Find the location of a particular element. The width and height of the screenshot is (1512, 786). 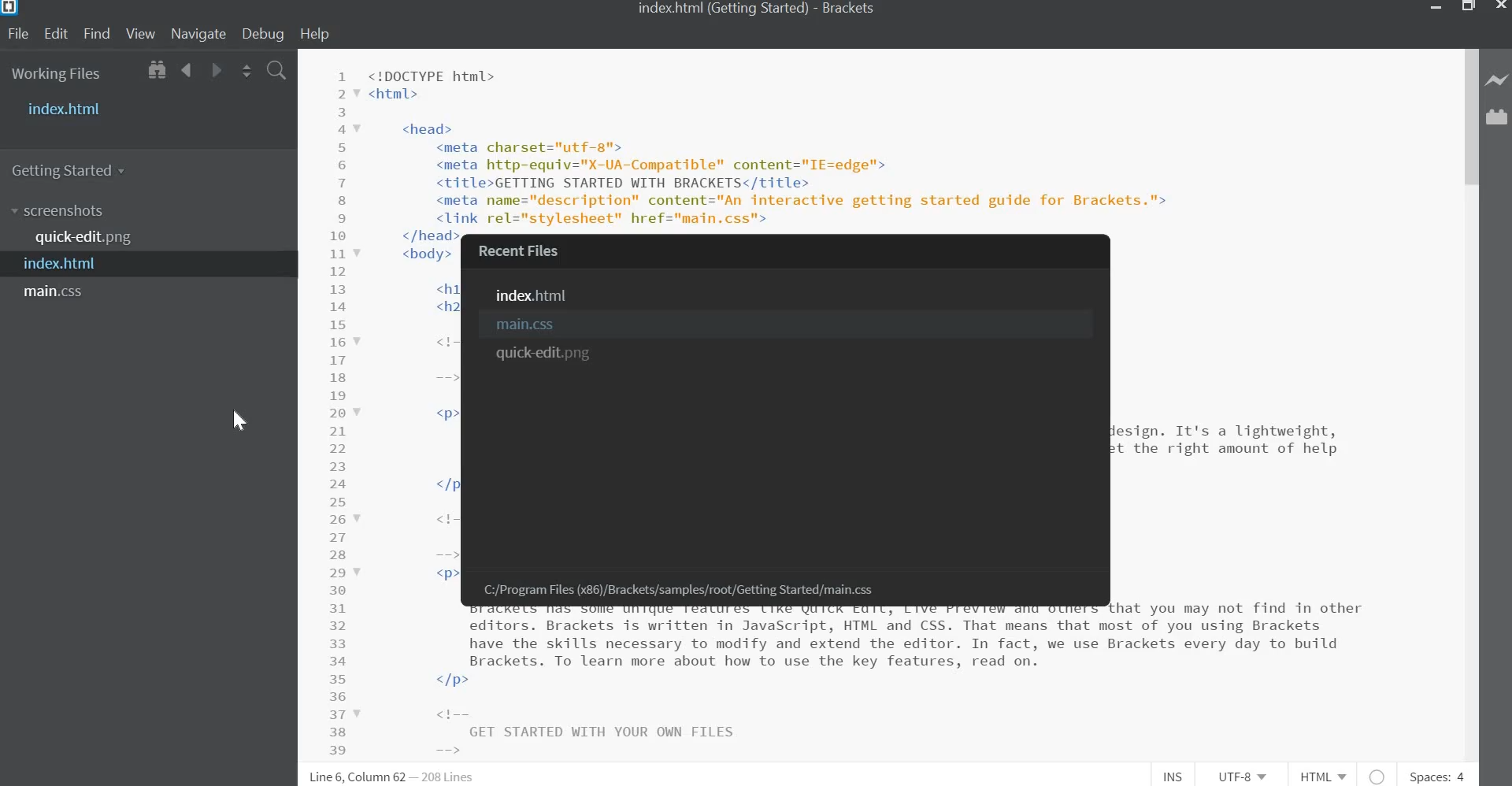

index.html (Getting Started) is located at coordinates (717, 8).